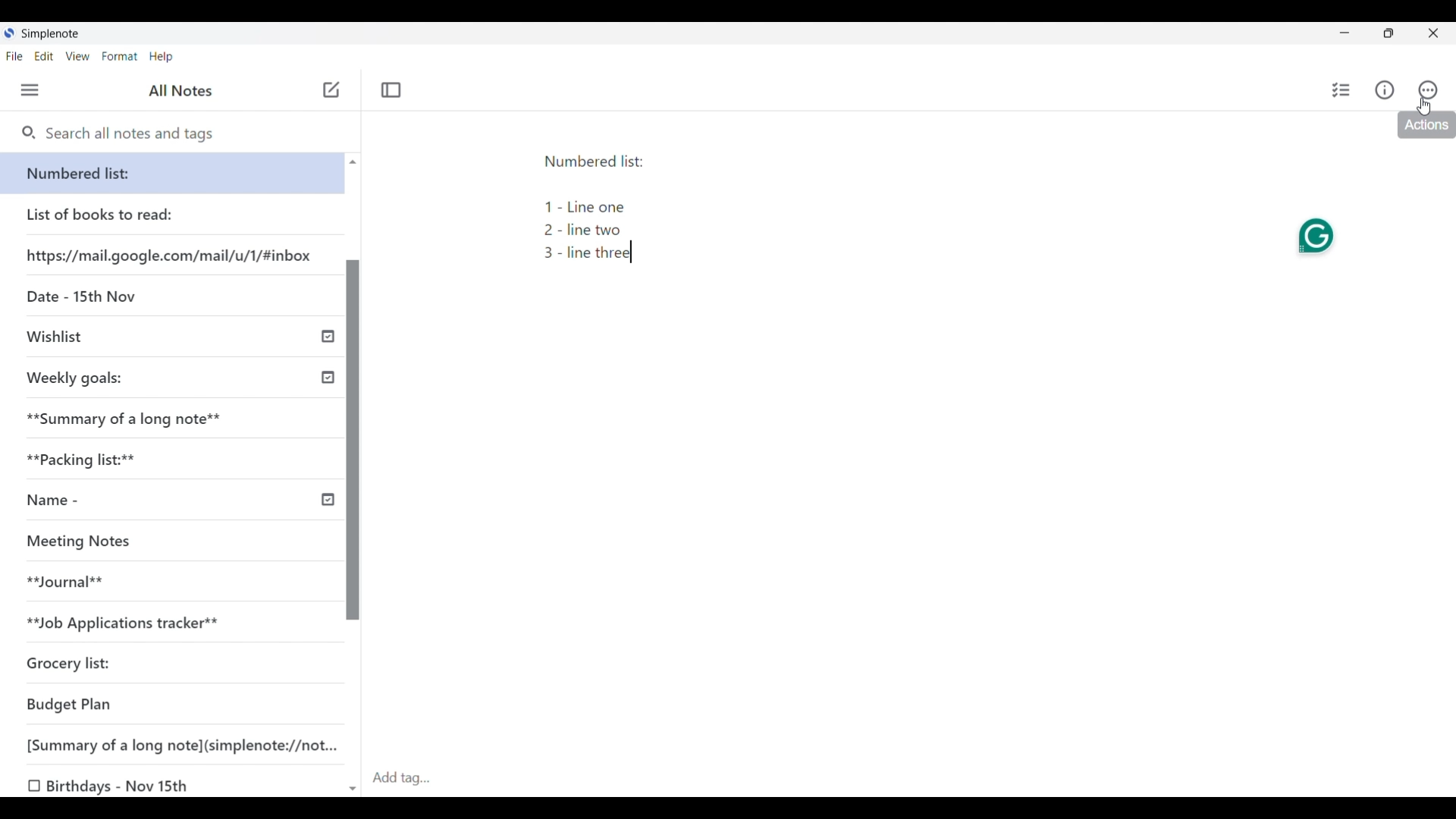 The height and width of the screenshot is (819, 1456). Describe the element at coordinates (77, 704) in the screenshot. I see `Budget Plan` at that location.